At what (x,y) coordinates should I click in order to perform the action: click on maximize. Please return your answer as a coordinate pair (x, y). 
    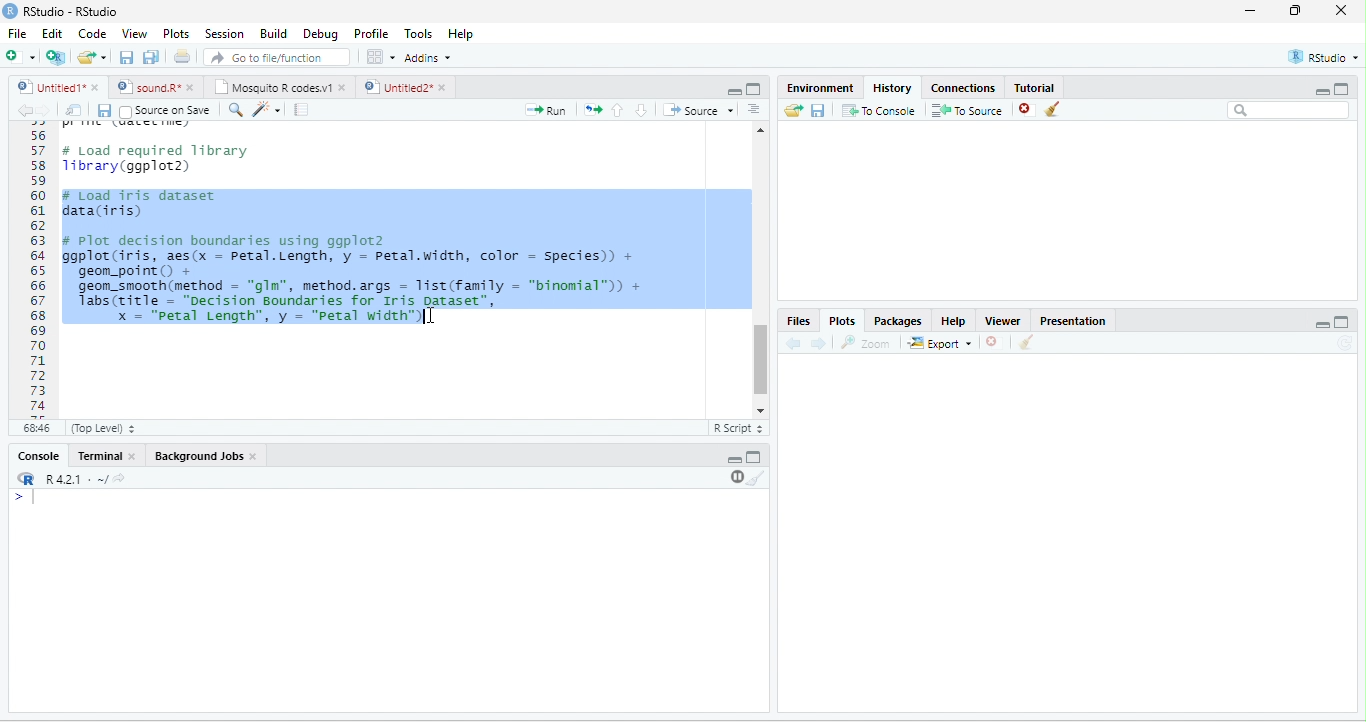
    Looking at the image, I should click on (754, 89).